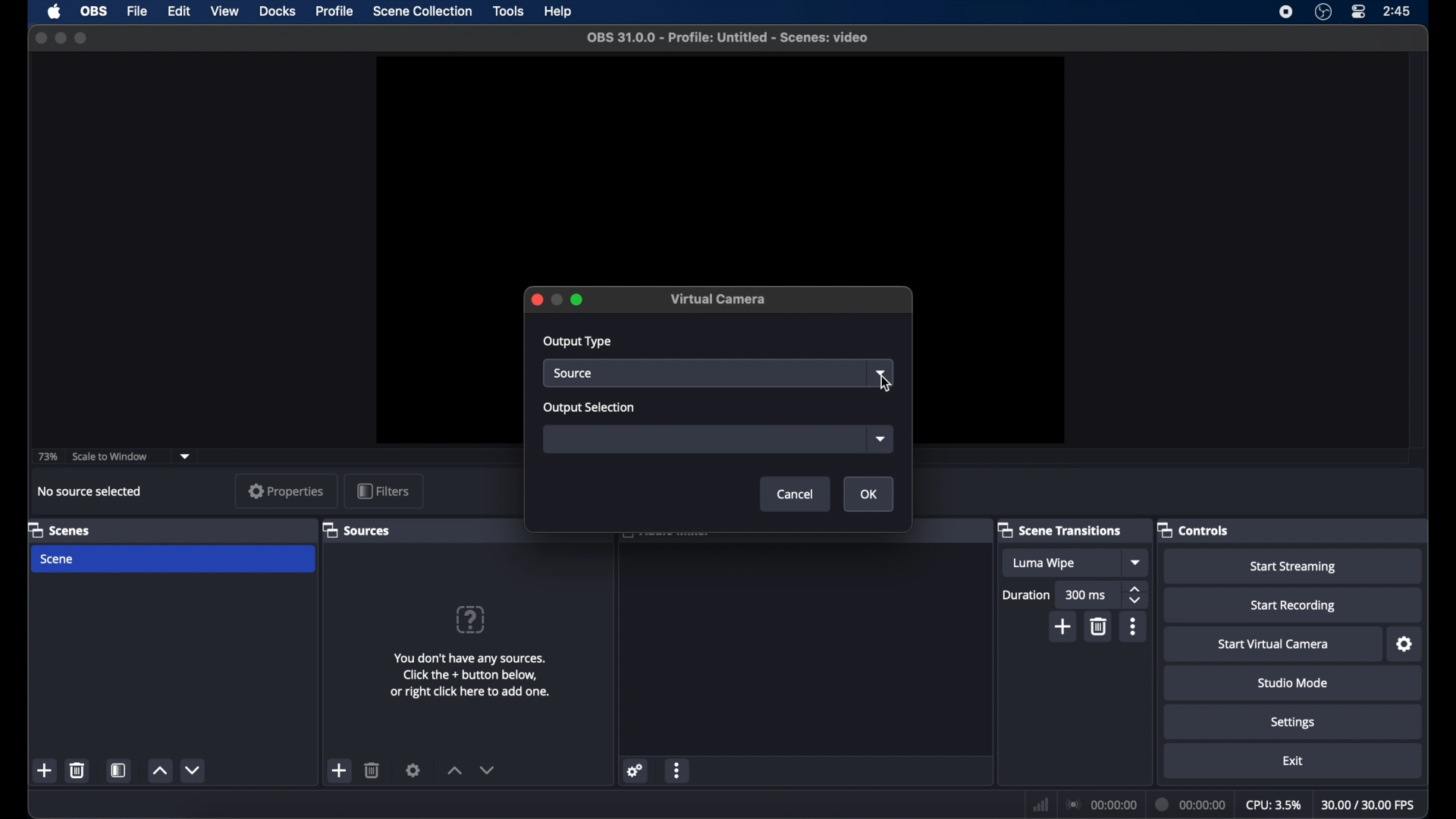 The height and width of the screenshot is (819, 1456). What do you see at coordinates (1027, 596) in the screenshot?
I see `duration` at bounding box center [1027, 596].